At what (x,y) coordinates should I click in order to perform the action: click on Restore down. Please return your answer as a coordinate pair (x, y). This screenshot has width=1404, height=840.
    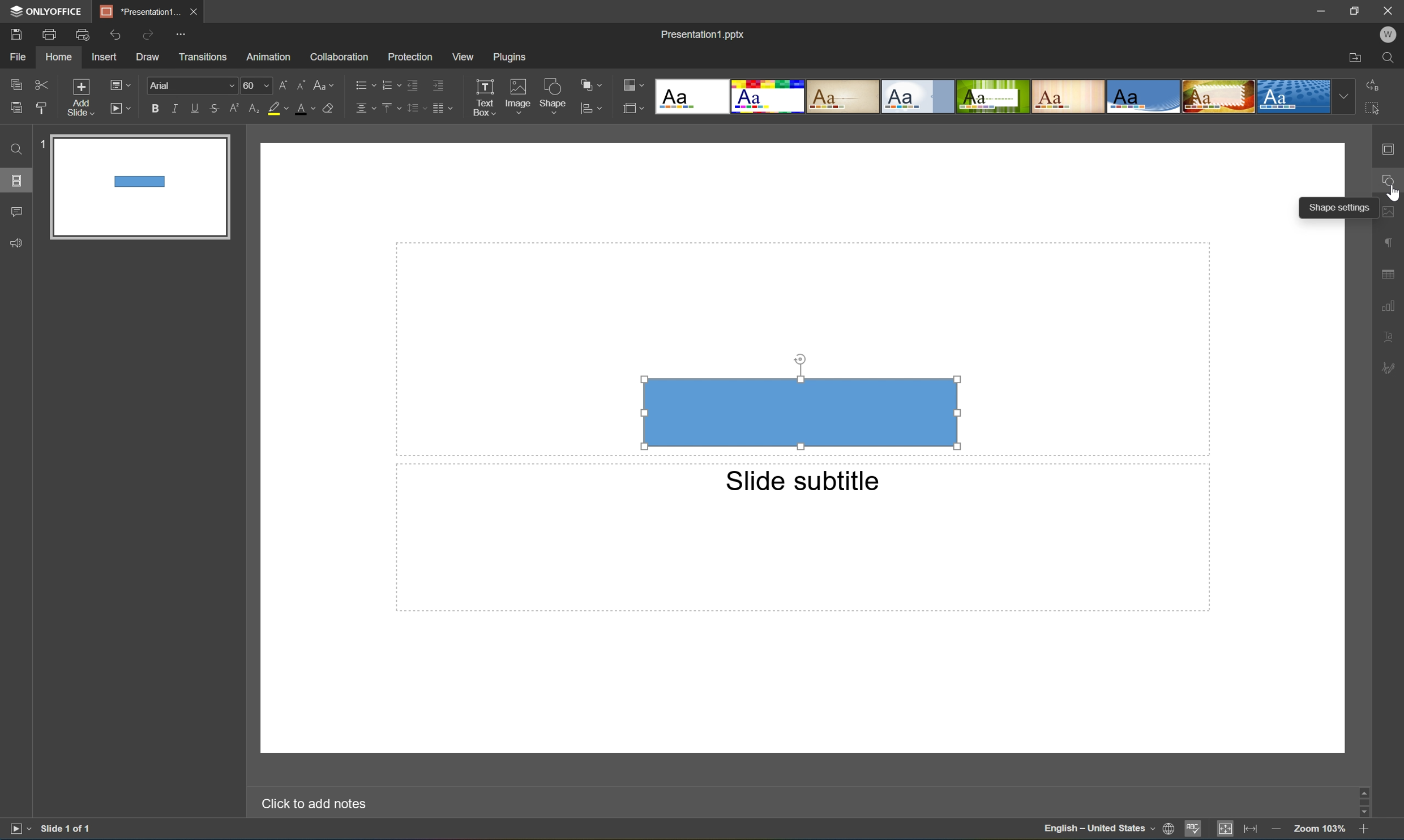
    Looking at the image, I should click on (1352, 11).